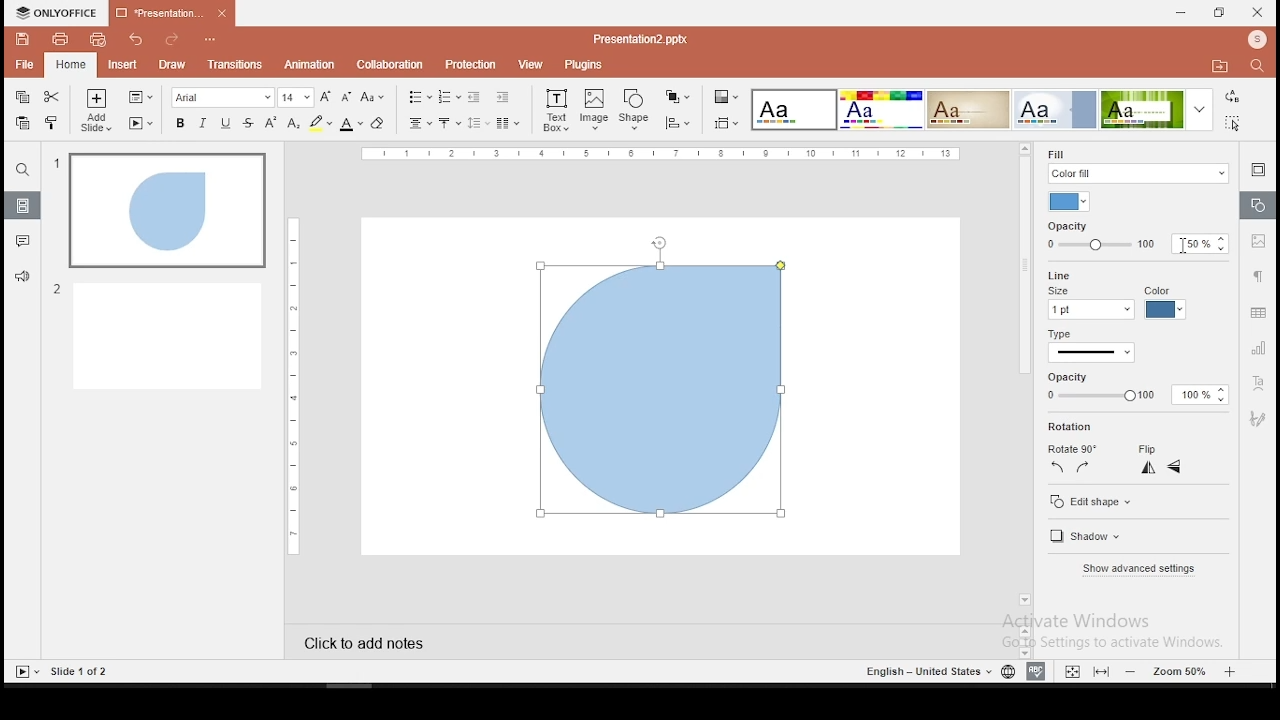 The width and height of the screenshot is (1280, 720). What do you see at coordinates (418, 125) in the screenshot?
I see `horizontal align` at bounding box center [418, 125].